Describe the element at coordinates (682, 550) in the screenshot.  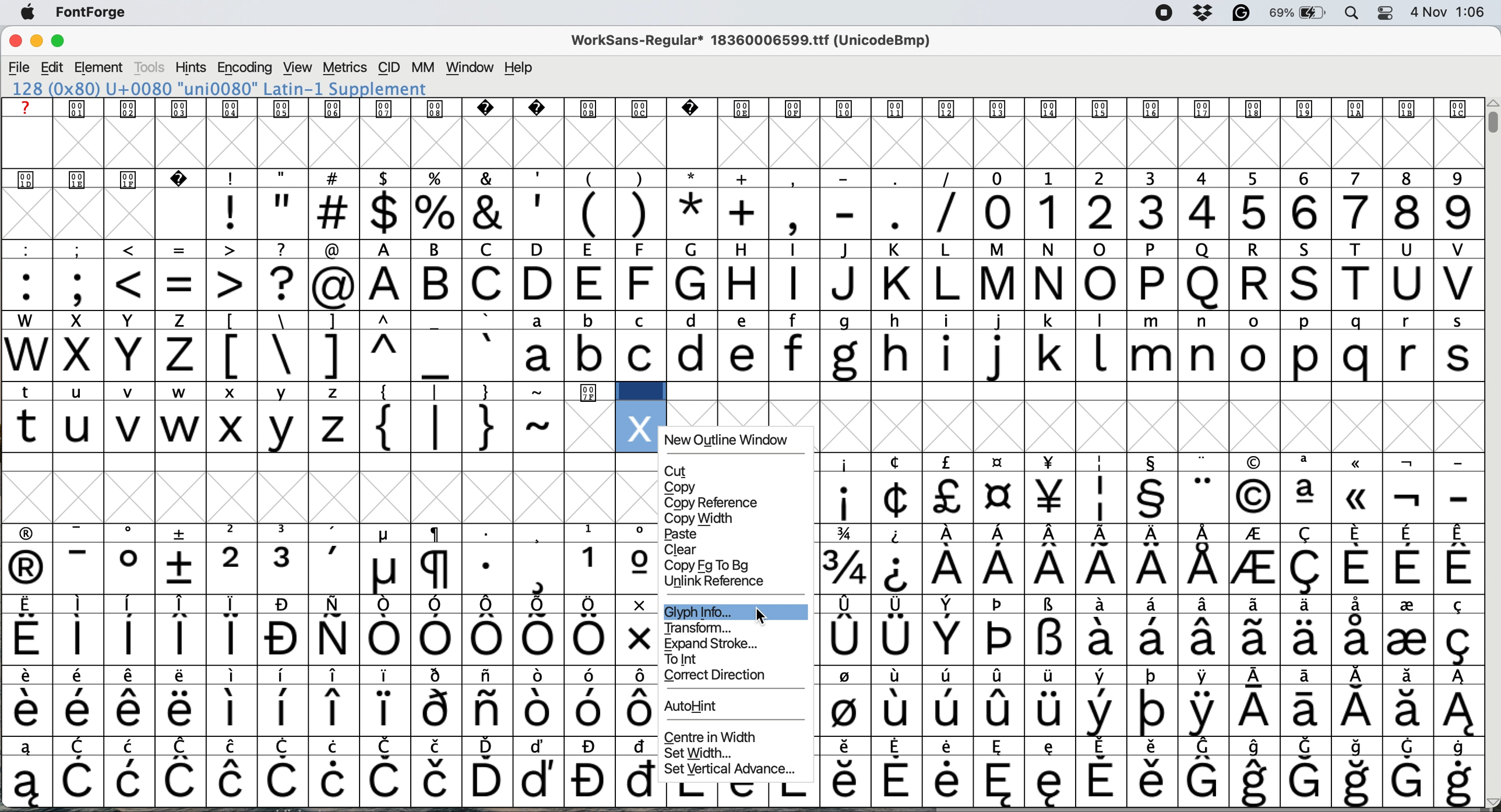
I see `clear` at that location.